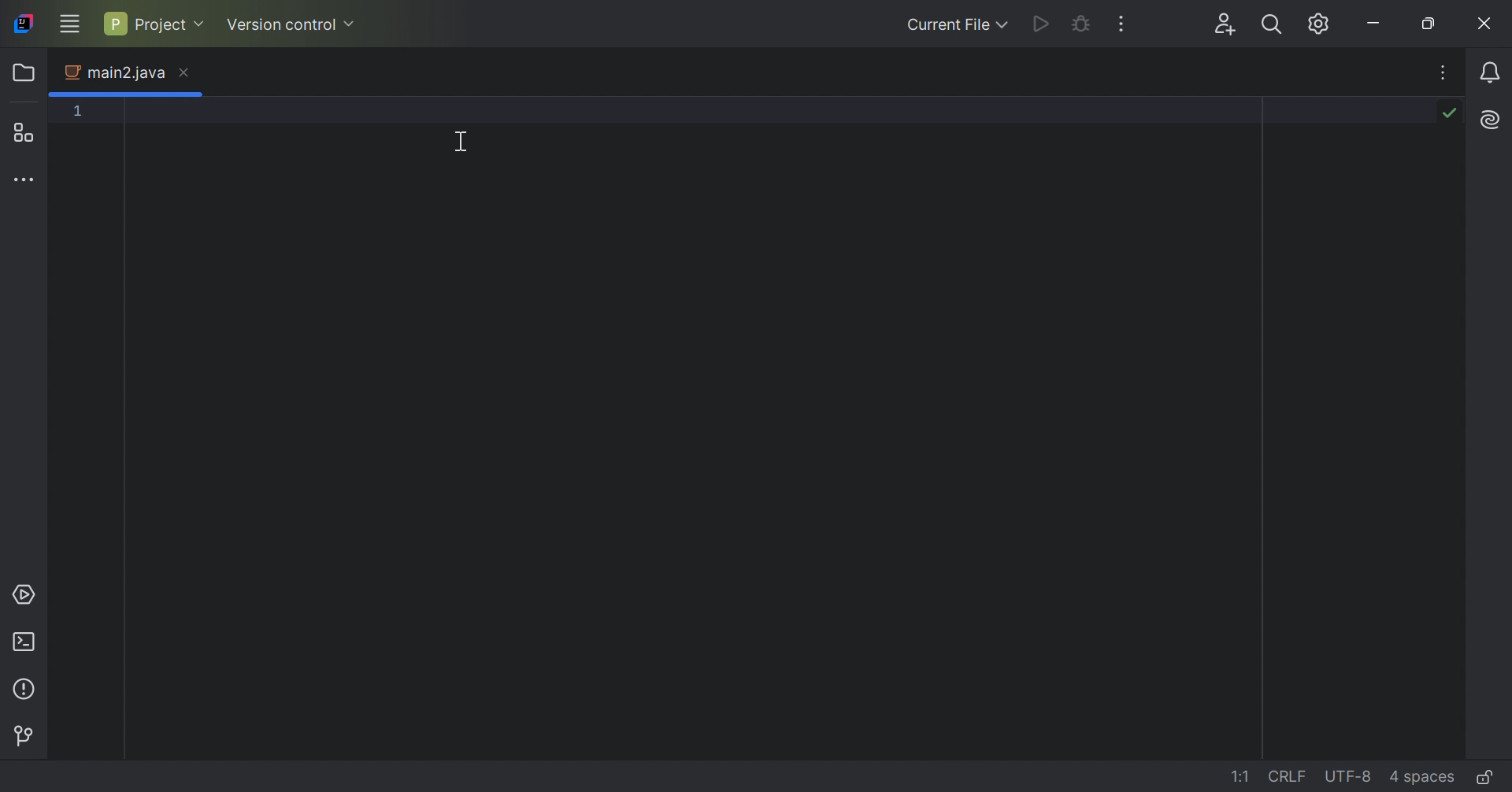  I want to click on More tool windows, so click(24, 180).